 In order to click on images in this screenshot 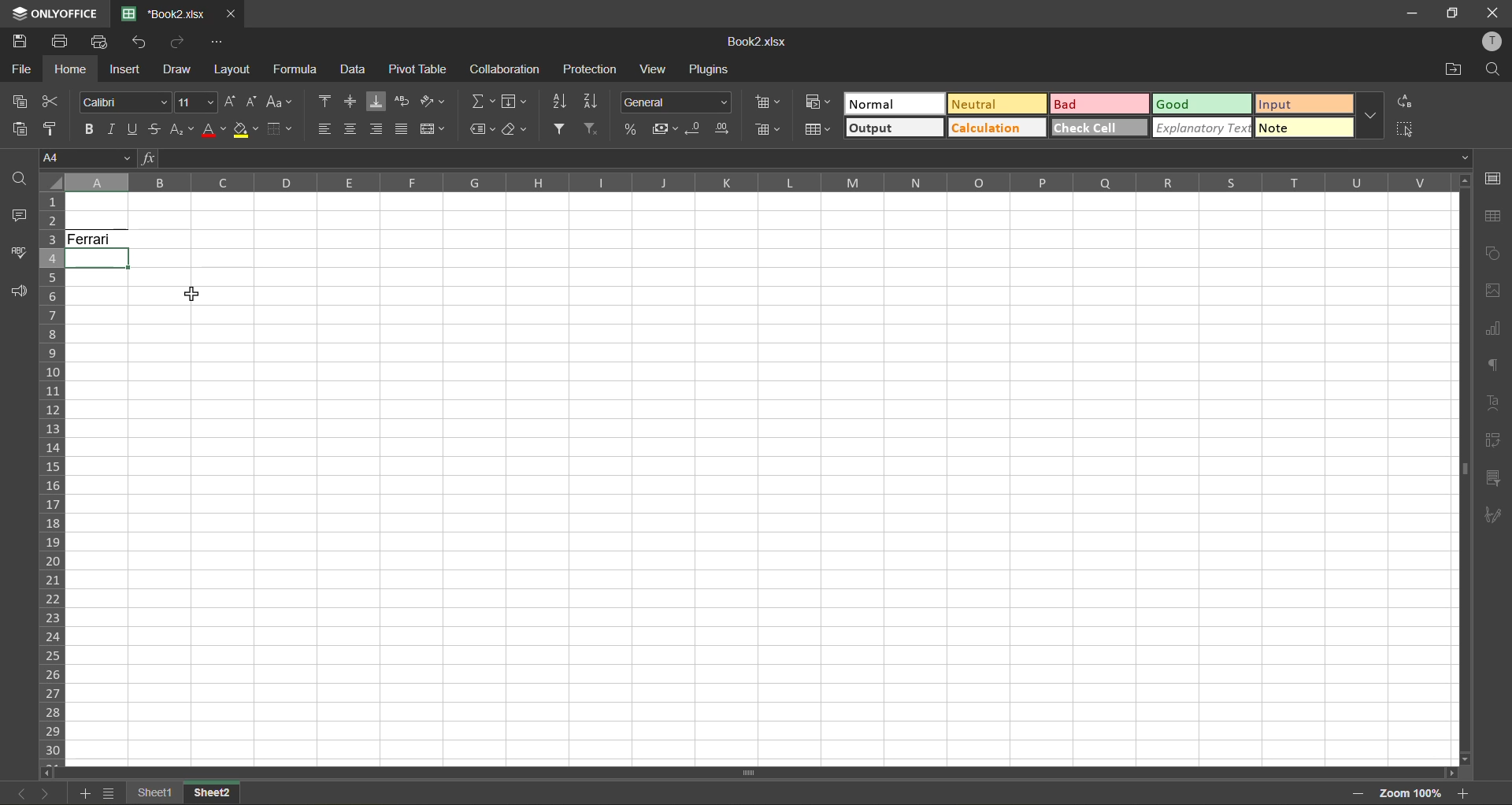, I will do `click(1494, 291)`.